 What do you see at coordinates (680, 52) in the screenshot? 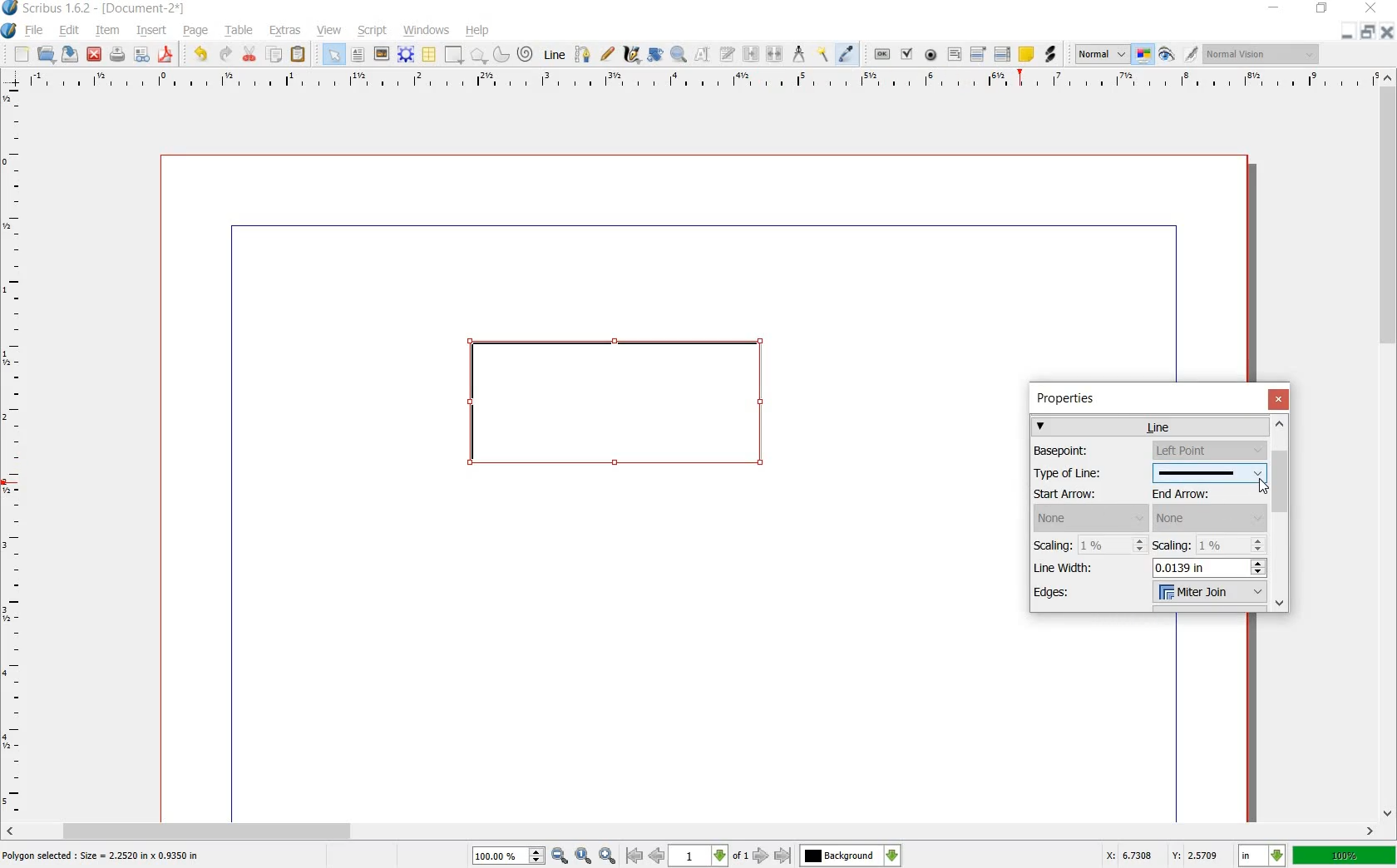
I see `ZOOM IN OR OUT` at bounding box center [680, 52].